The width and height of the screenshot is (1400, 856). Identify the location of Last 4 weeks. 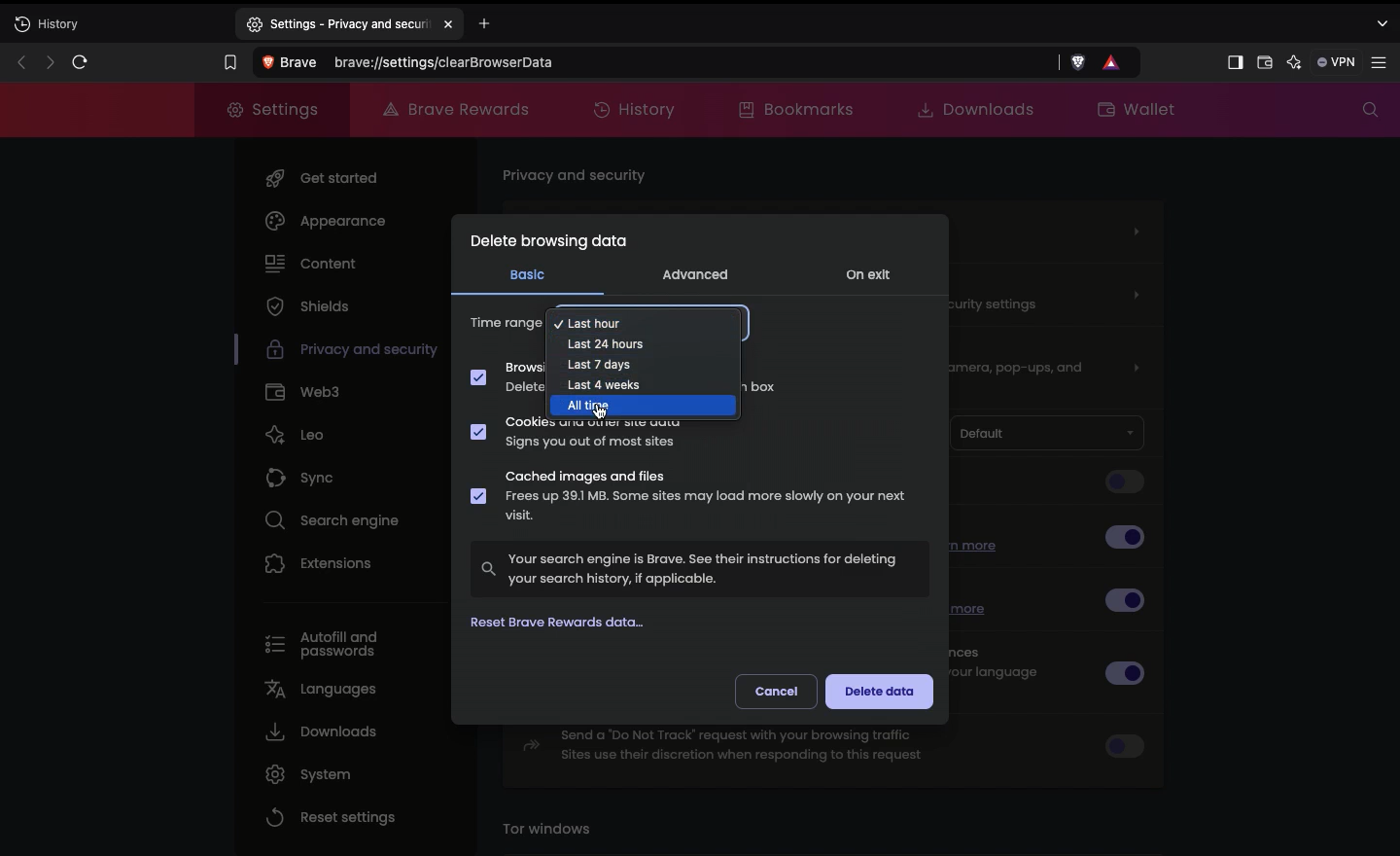
(606, 387).